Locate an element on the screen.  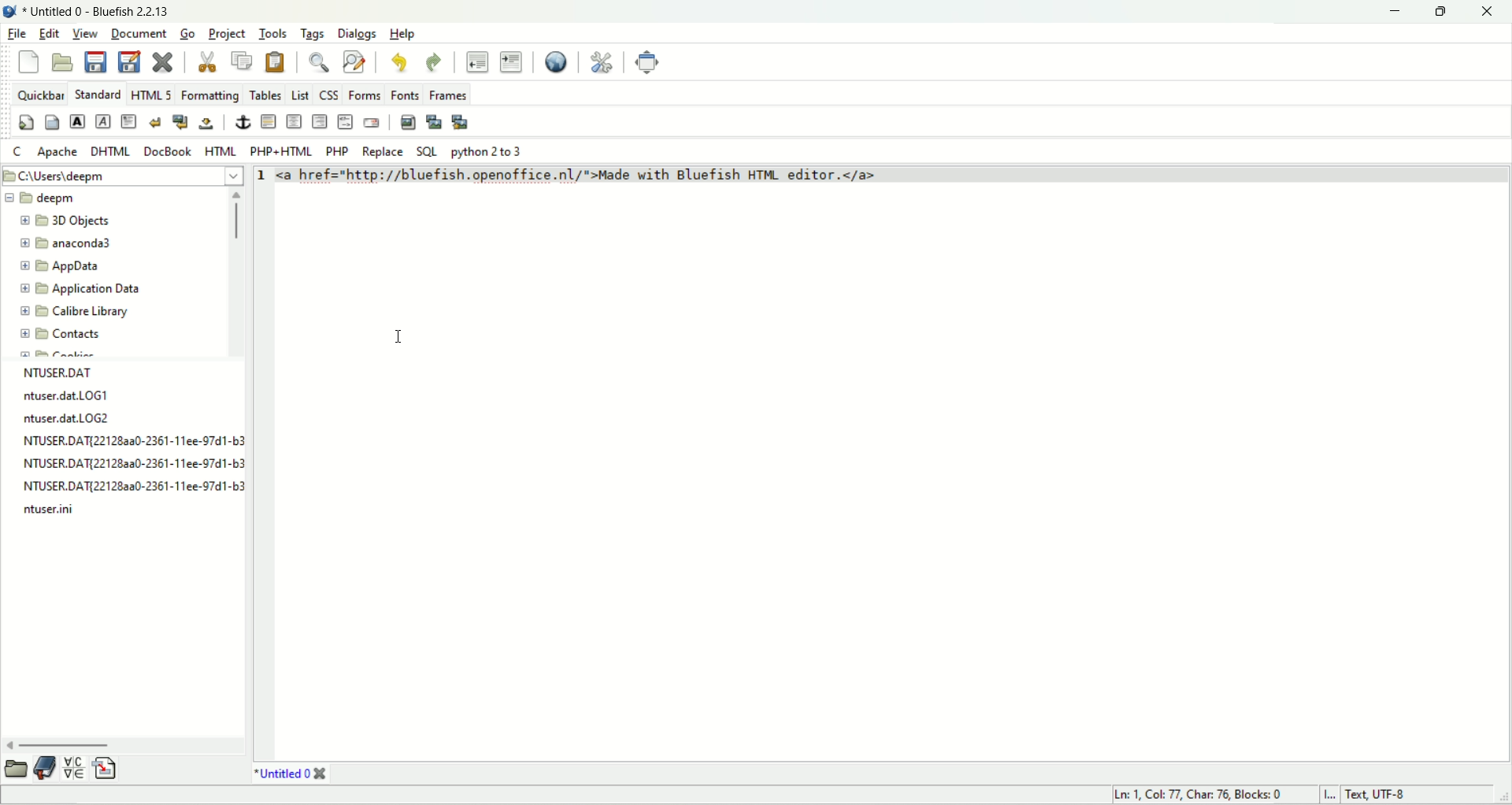
advanced find and replace is located at coordinates (355, 62).